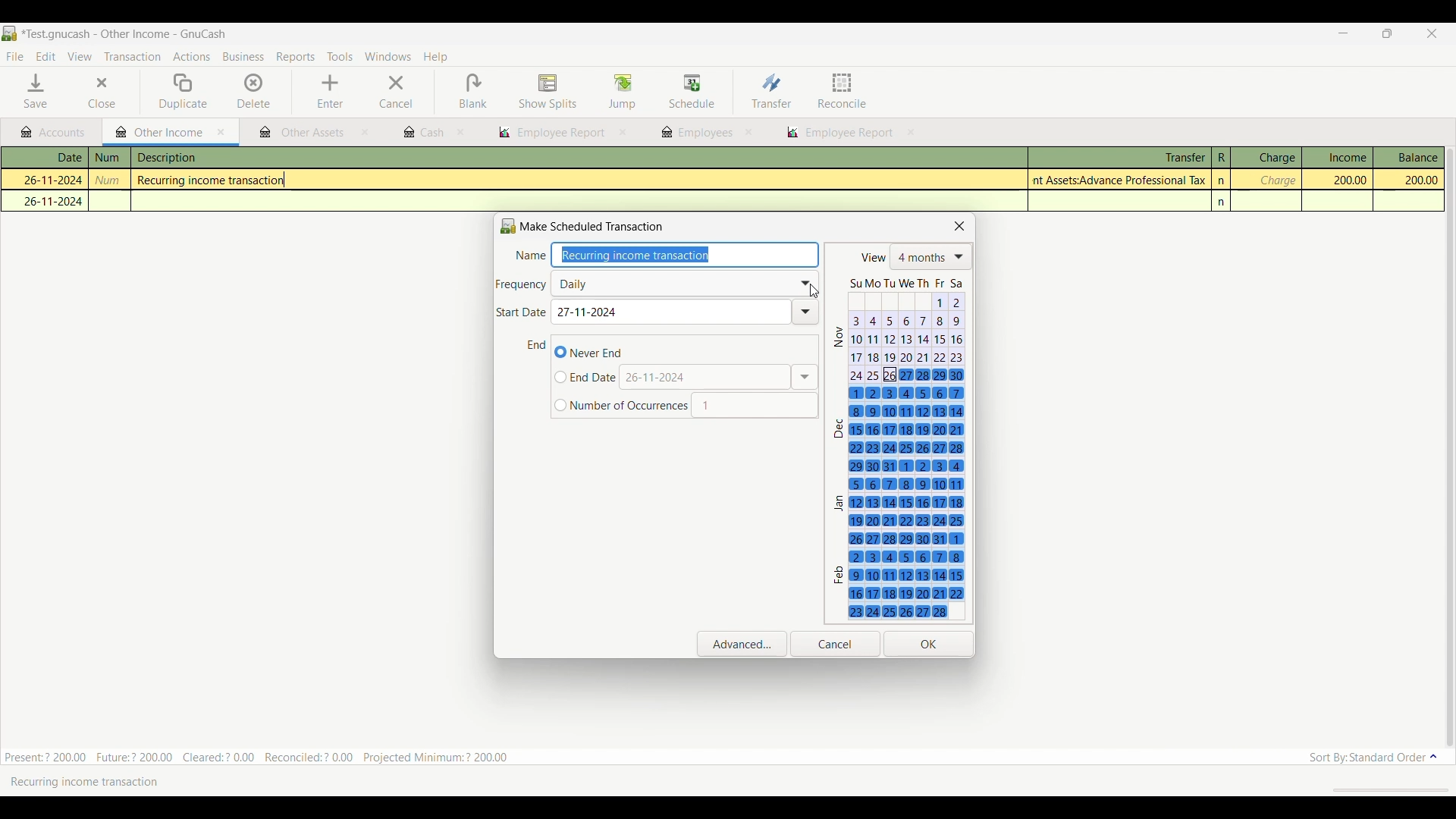 The width and height of the screenshot is (1456, 819). What do you see at coordinates (10, 33) in the screenshot?
I see `Software logo` at bounding box center [10, 33].